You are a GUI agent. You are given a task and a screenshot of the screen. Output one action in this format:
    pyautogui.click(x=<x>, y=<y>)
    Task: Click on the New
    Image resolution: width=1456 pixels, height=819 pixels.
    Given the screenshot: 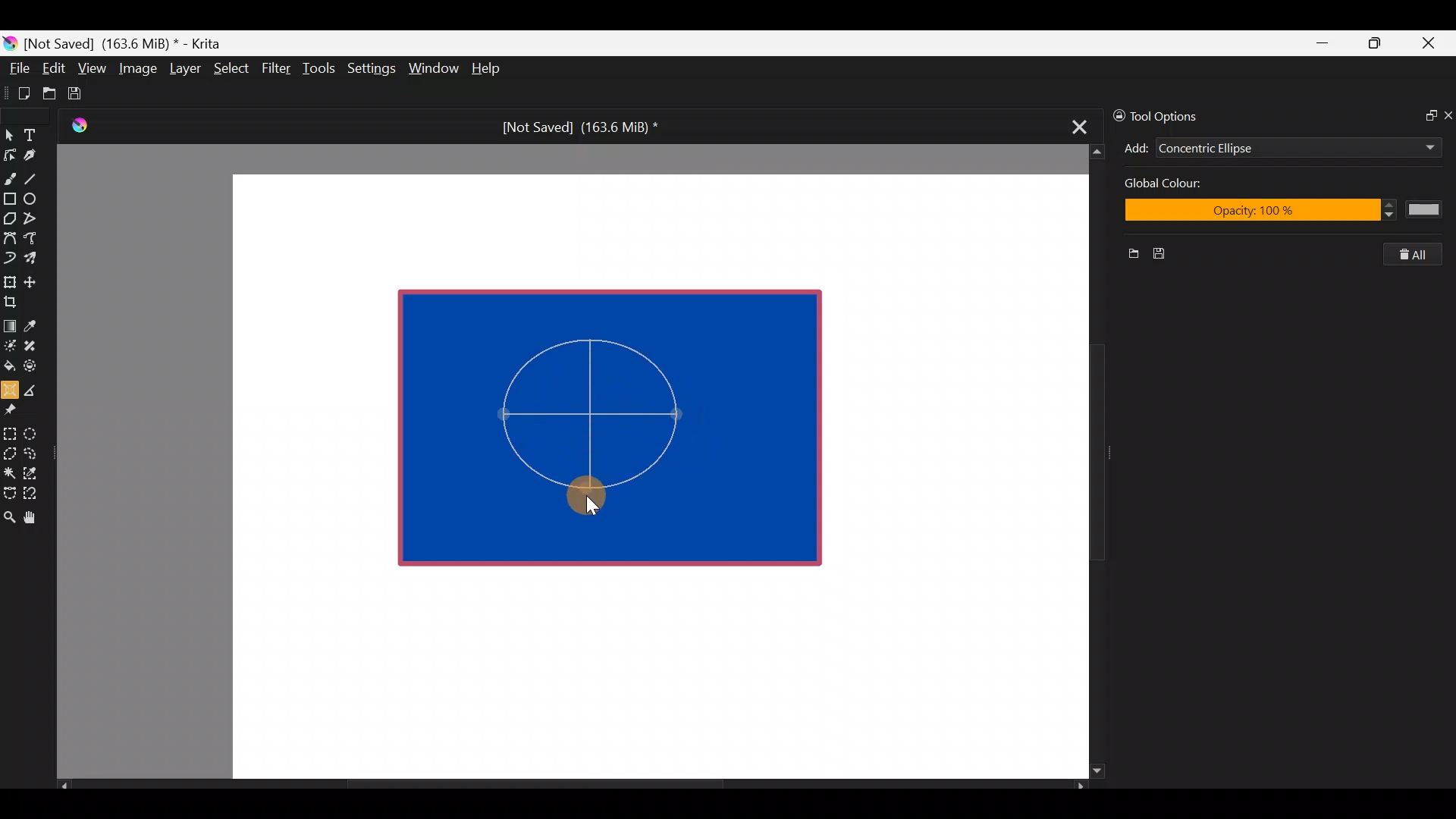 What is the action you would take?
    pyautogui.click(x=1128, y=256)
    